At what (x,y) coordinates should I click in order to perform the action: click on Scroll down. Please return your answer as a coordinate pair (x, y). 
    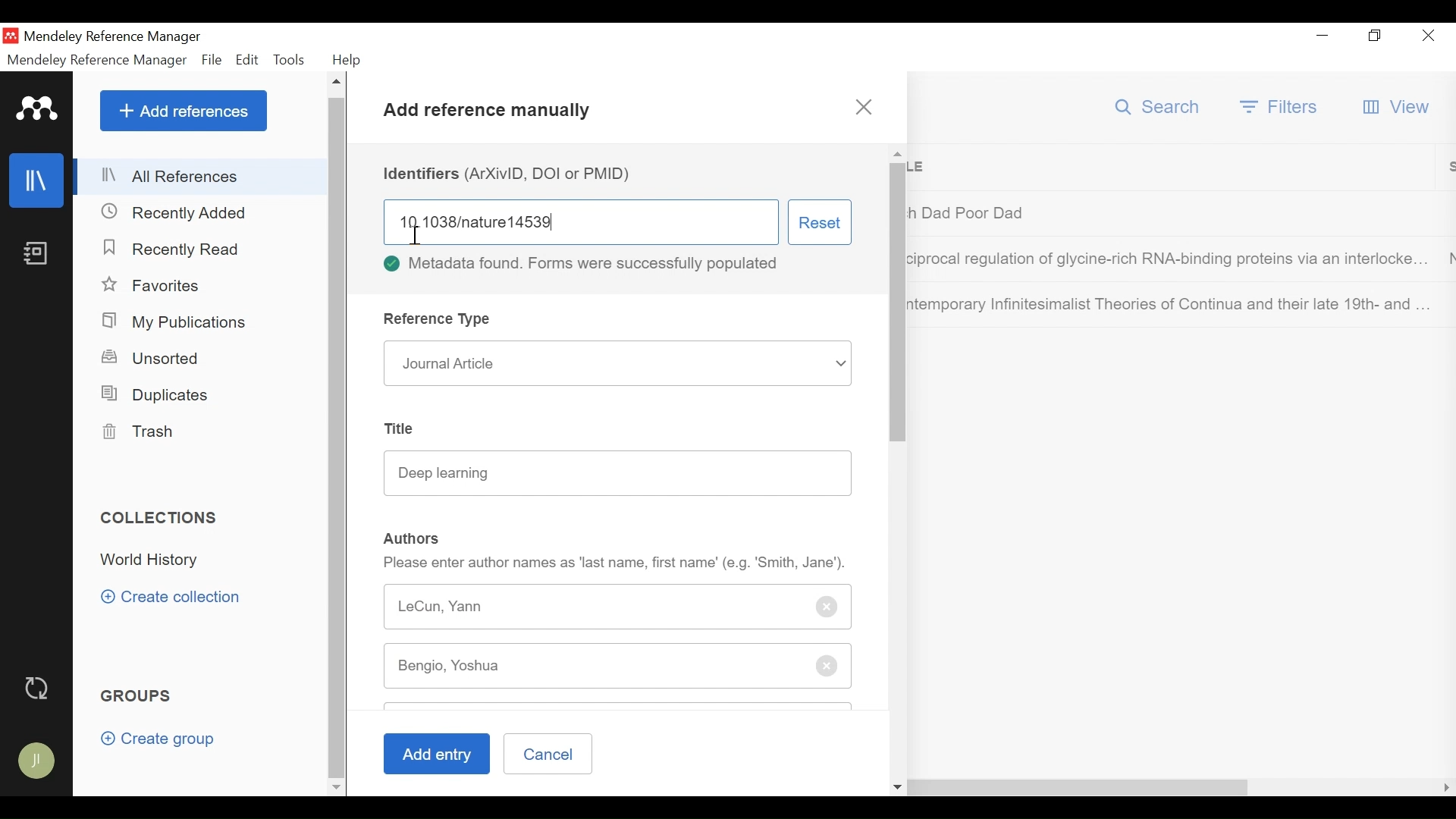
    Looking at the image, I should click on (336, 786).